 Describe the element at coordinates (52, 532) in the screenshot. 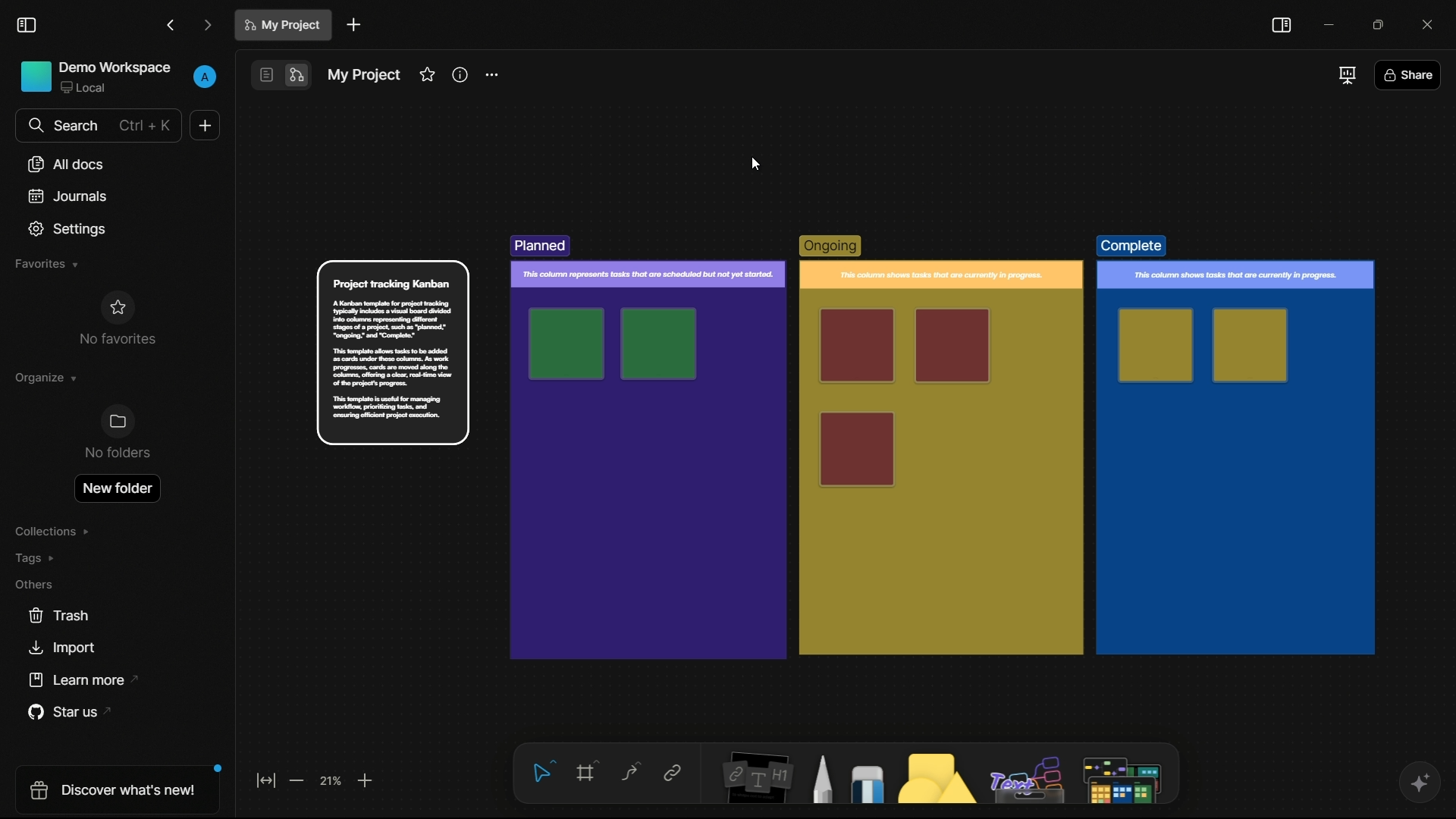

I see `collections` at that location.